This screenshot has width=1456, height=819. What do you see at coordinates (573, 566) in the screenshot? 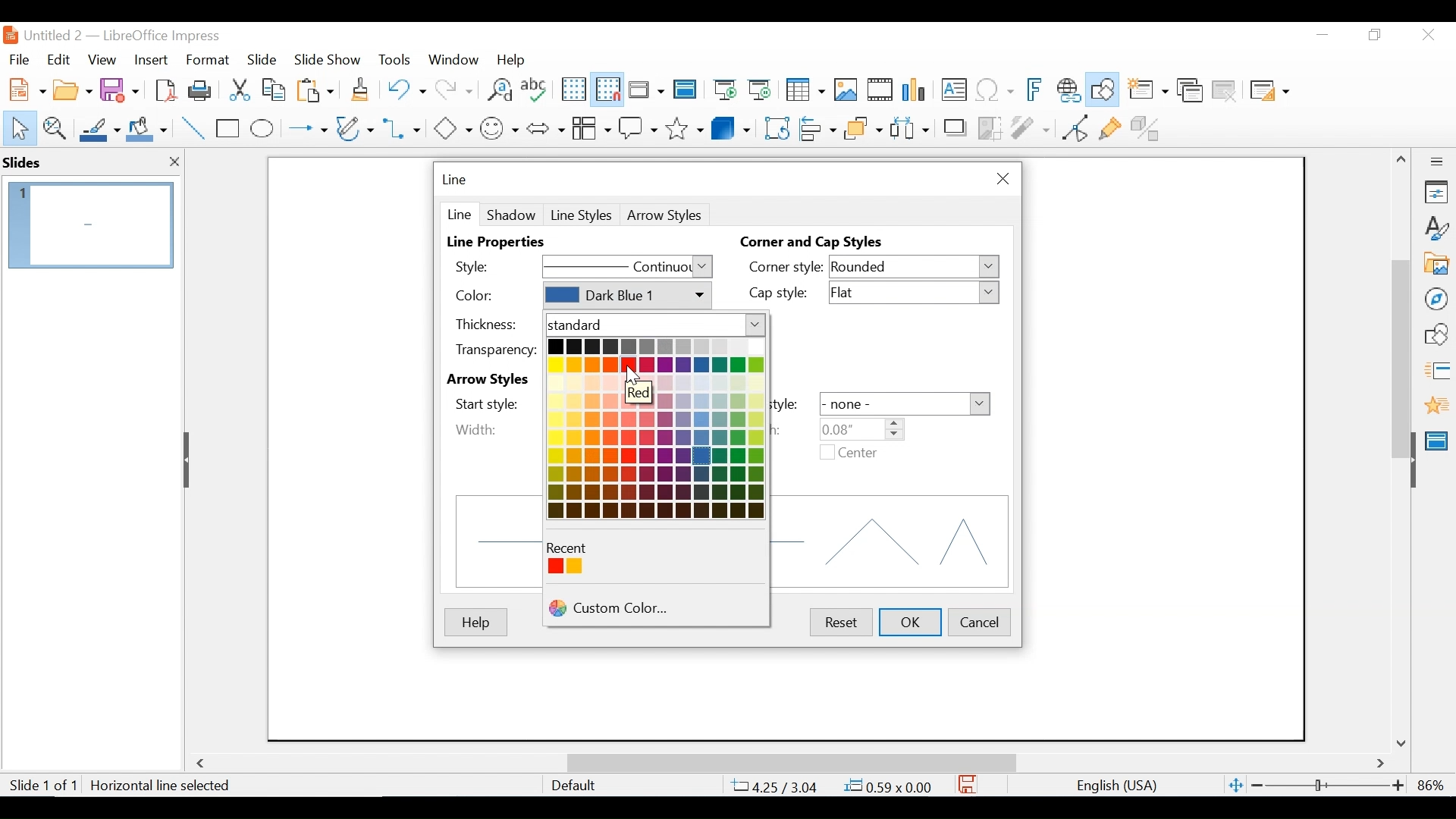
I see `Yellow` at bounding box center [573, 566].